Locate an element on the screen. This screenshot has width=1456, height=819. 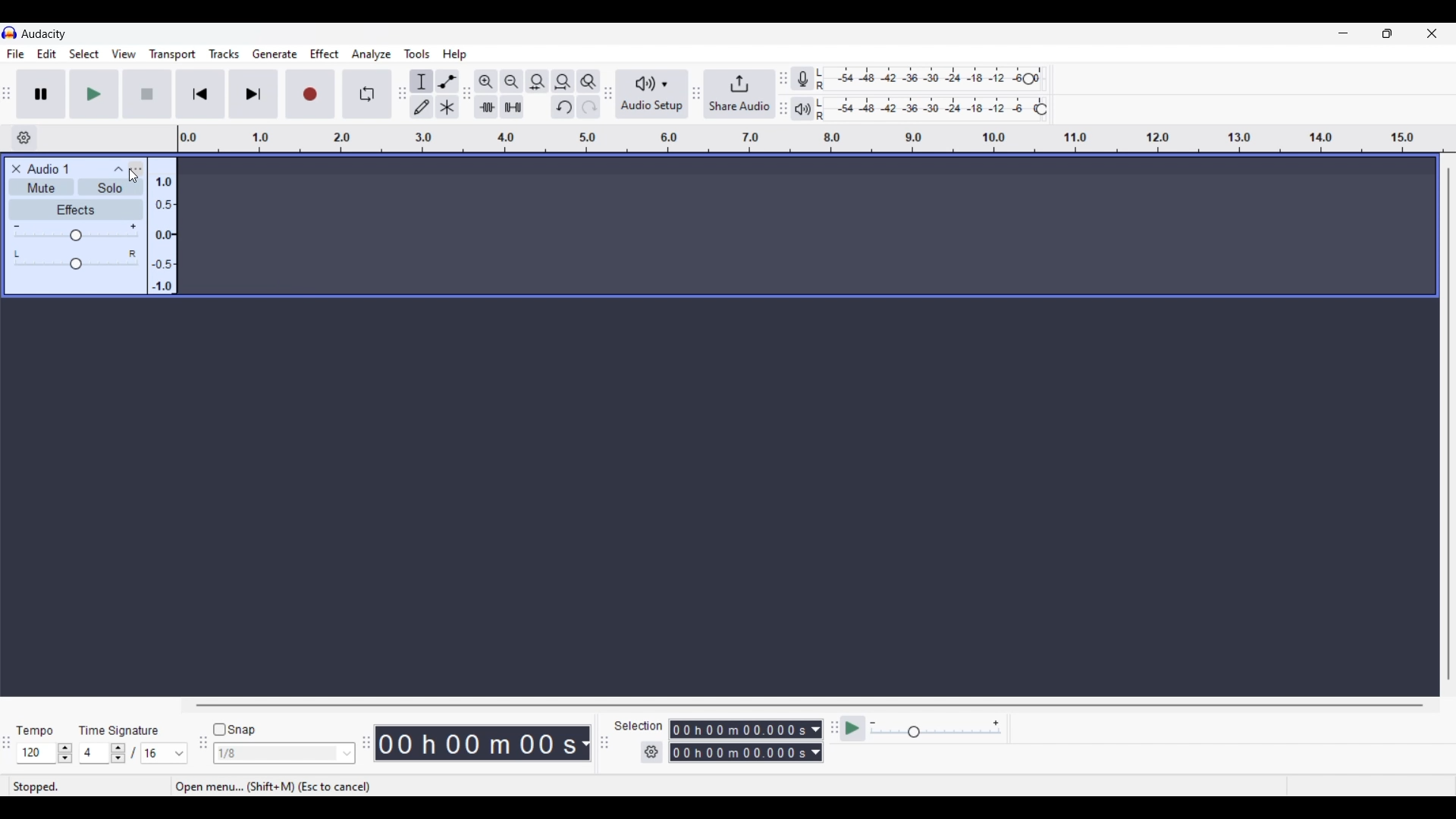
Playback level is located at coordinates (934, 108).